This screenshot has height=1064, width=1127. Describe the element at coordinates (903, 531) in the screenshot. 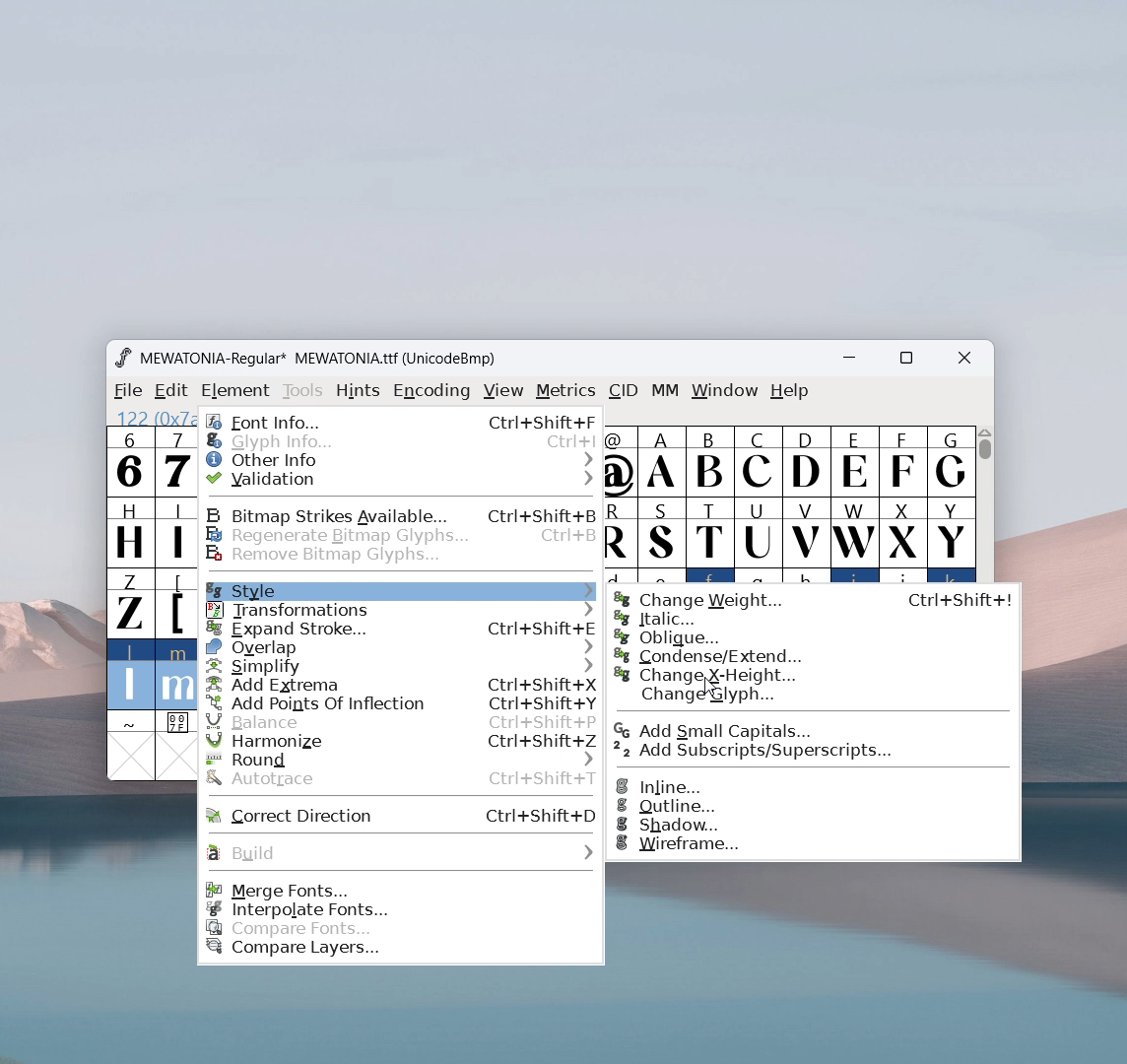

I see `X` at that location.